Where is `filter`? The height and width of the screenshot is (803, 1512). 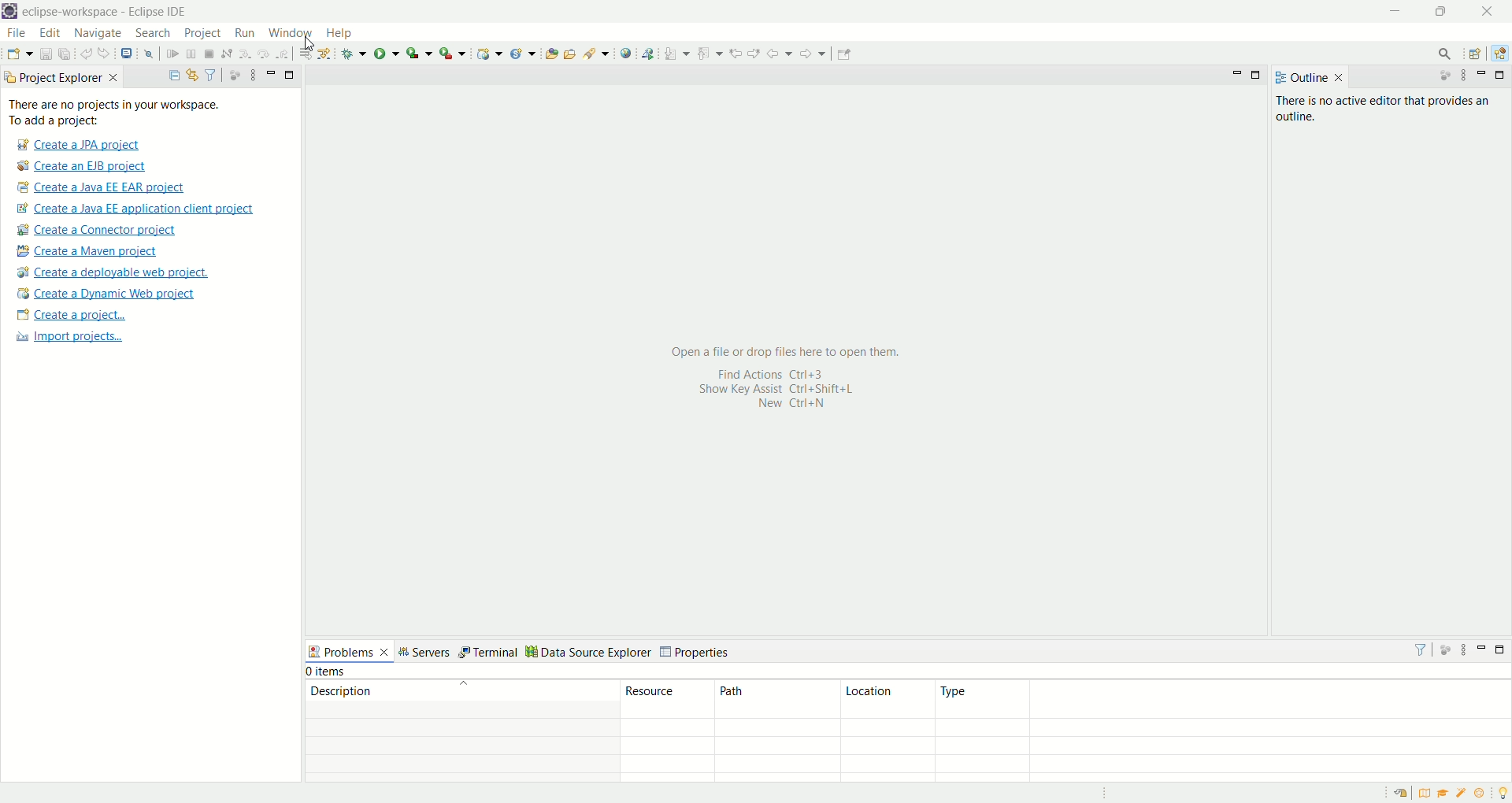 filter is located at coordinates (211, 74).